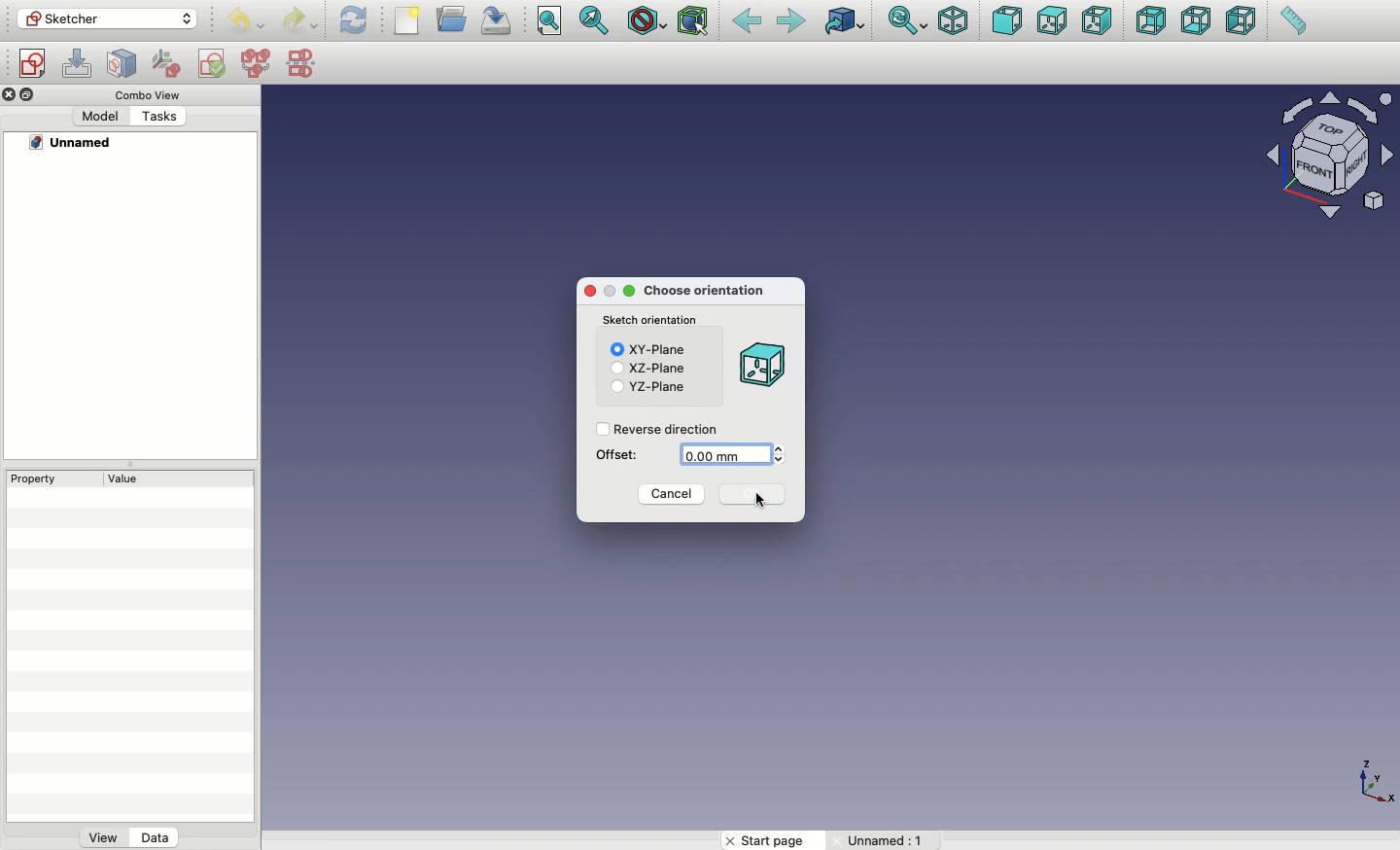  I want to click on , so click(1320, 159).